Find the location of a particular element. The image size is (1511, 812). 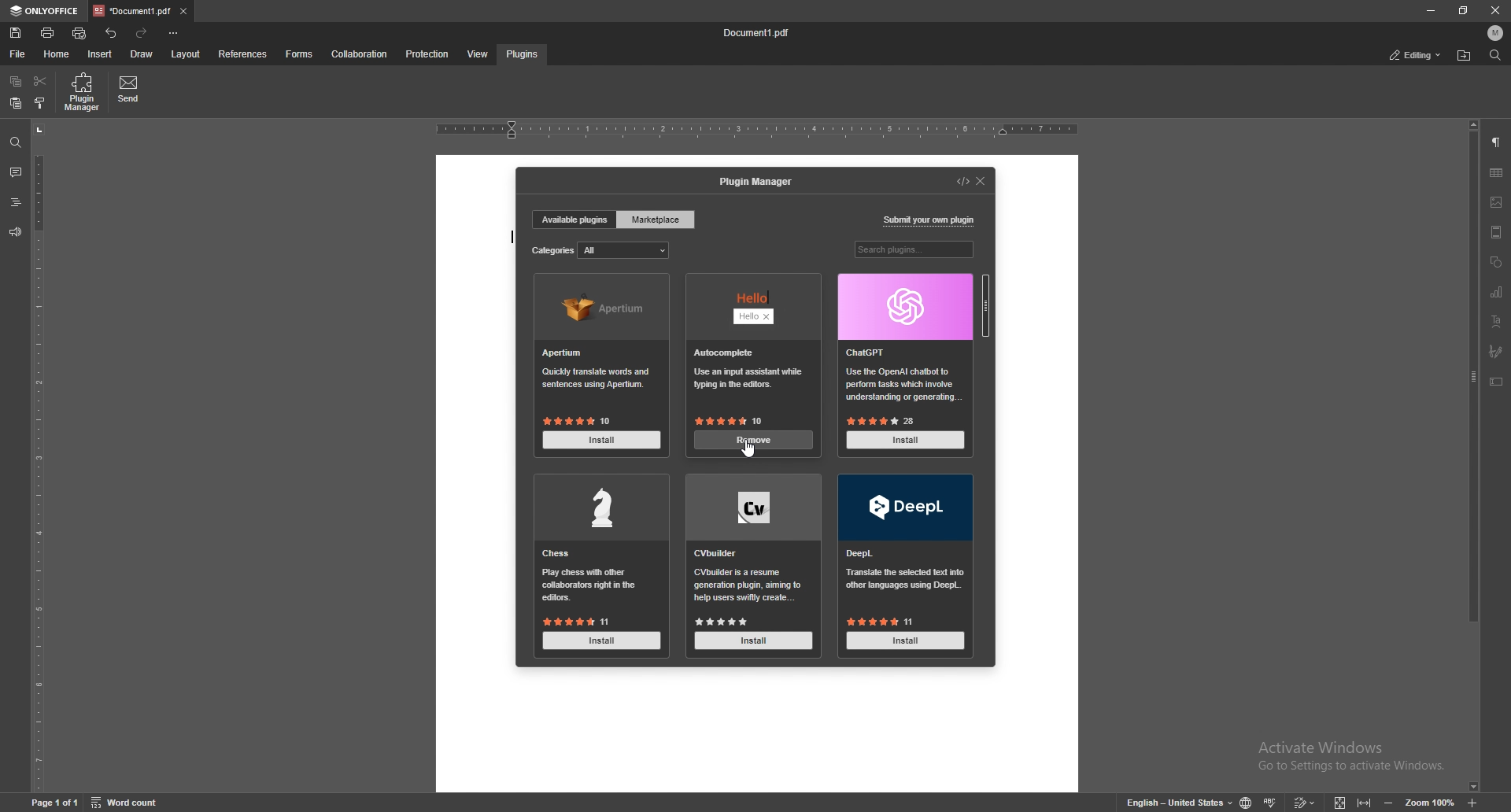

insert is located at coordinates (100, 54).